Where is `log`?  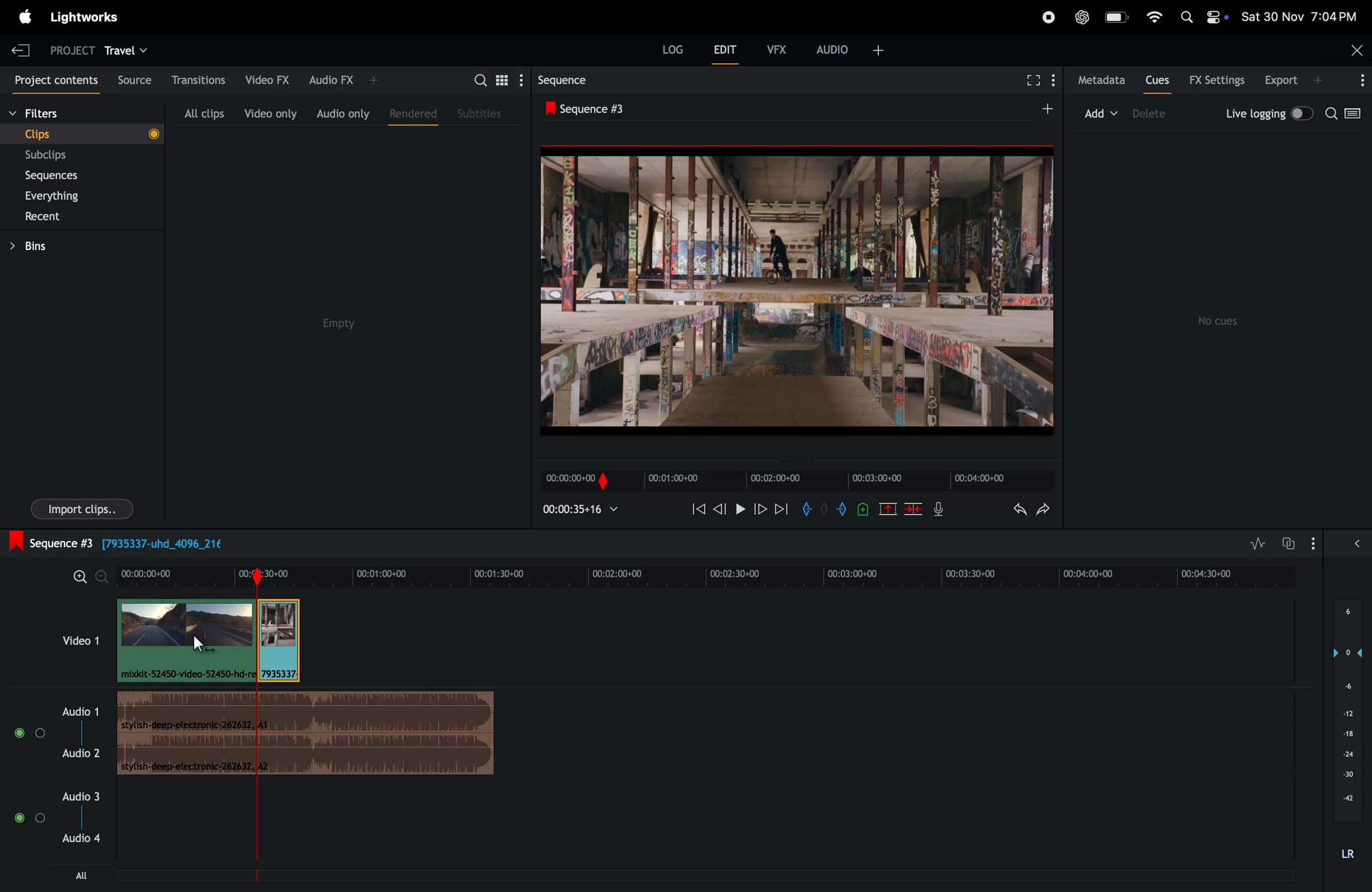 log is located at coordinates (666, 53).